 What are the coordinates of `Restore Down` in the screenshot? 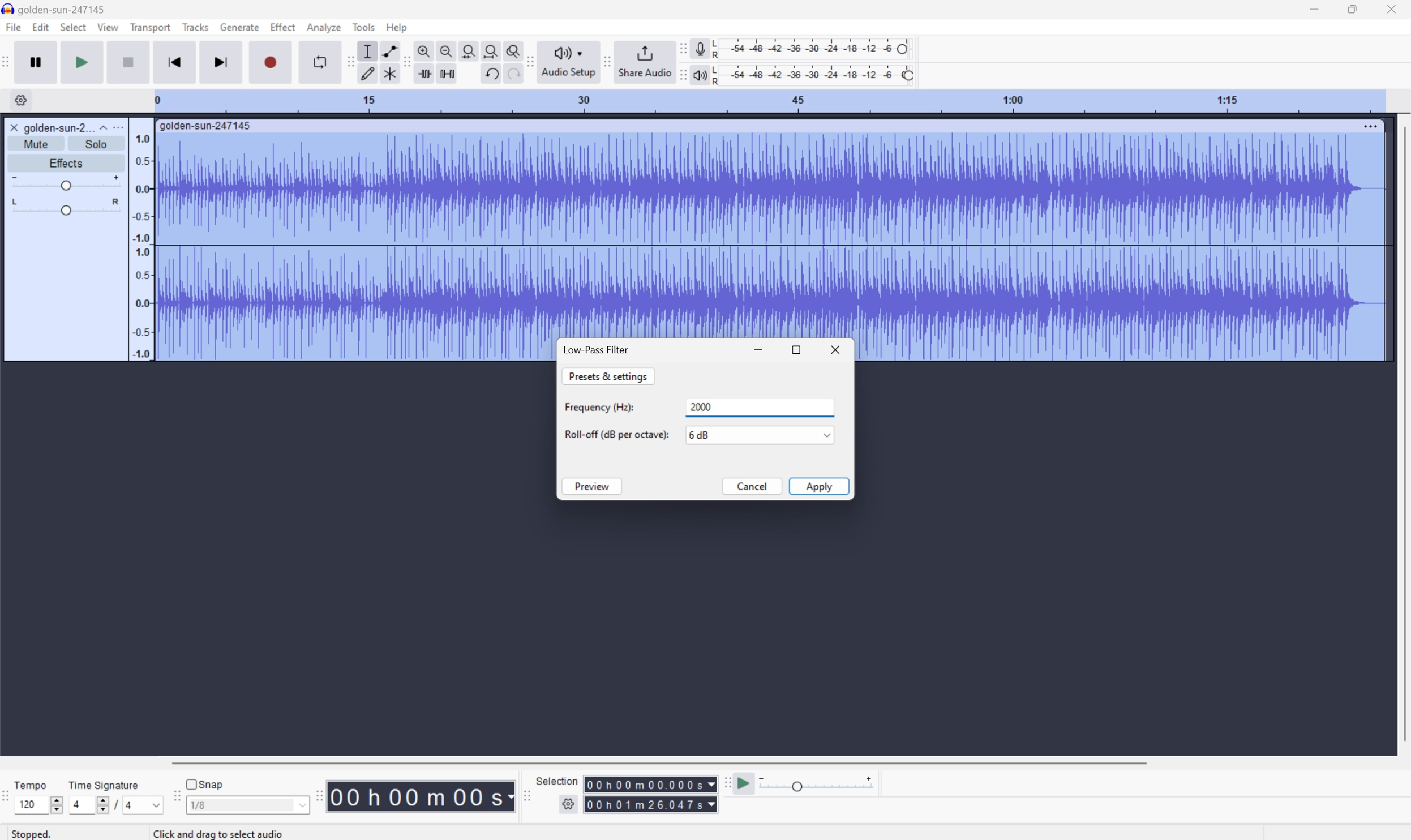 It's located at (1352, 10).